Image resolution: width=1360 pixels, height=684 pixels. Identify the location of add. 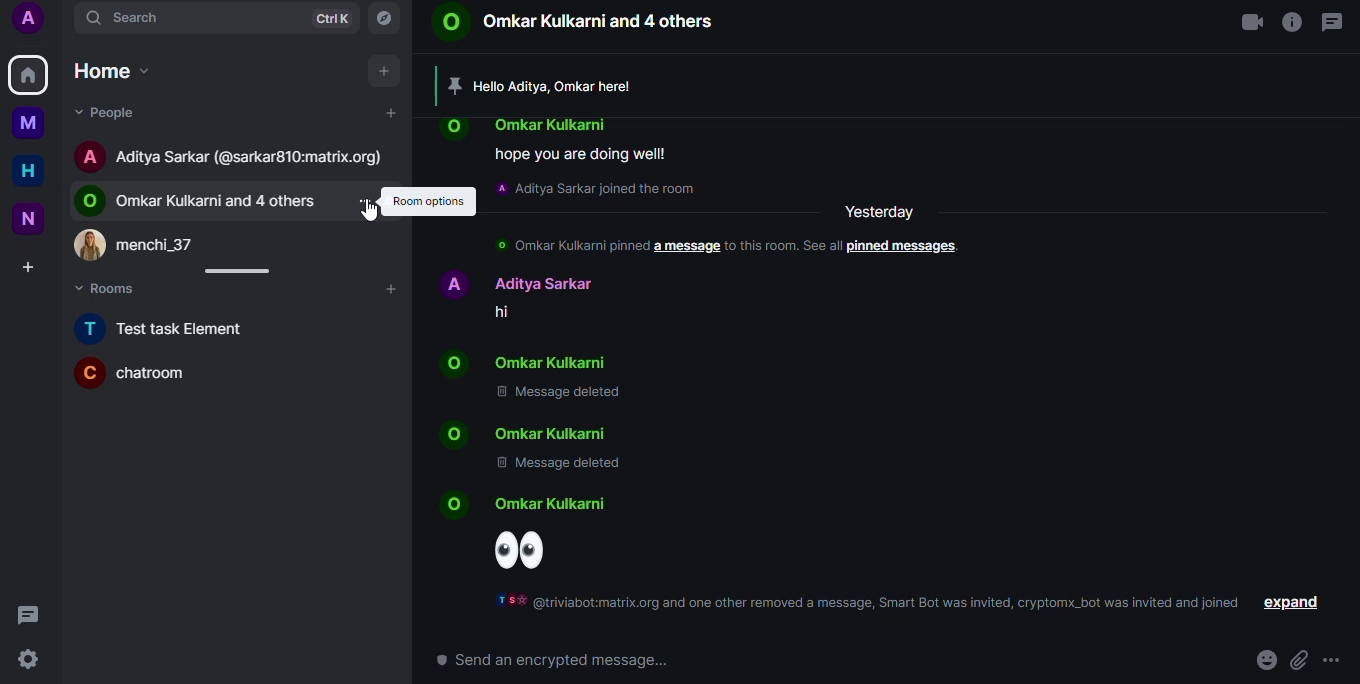
(388, 72).